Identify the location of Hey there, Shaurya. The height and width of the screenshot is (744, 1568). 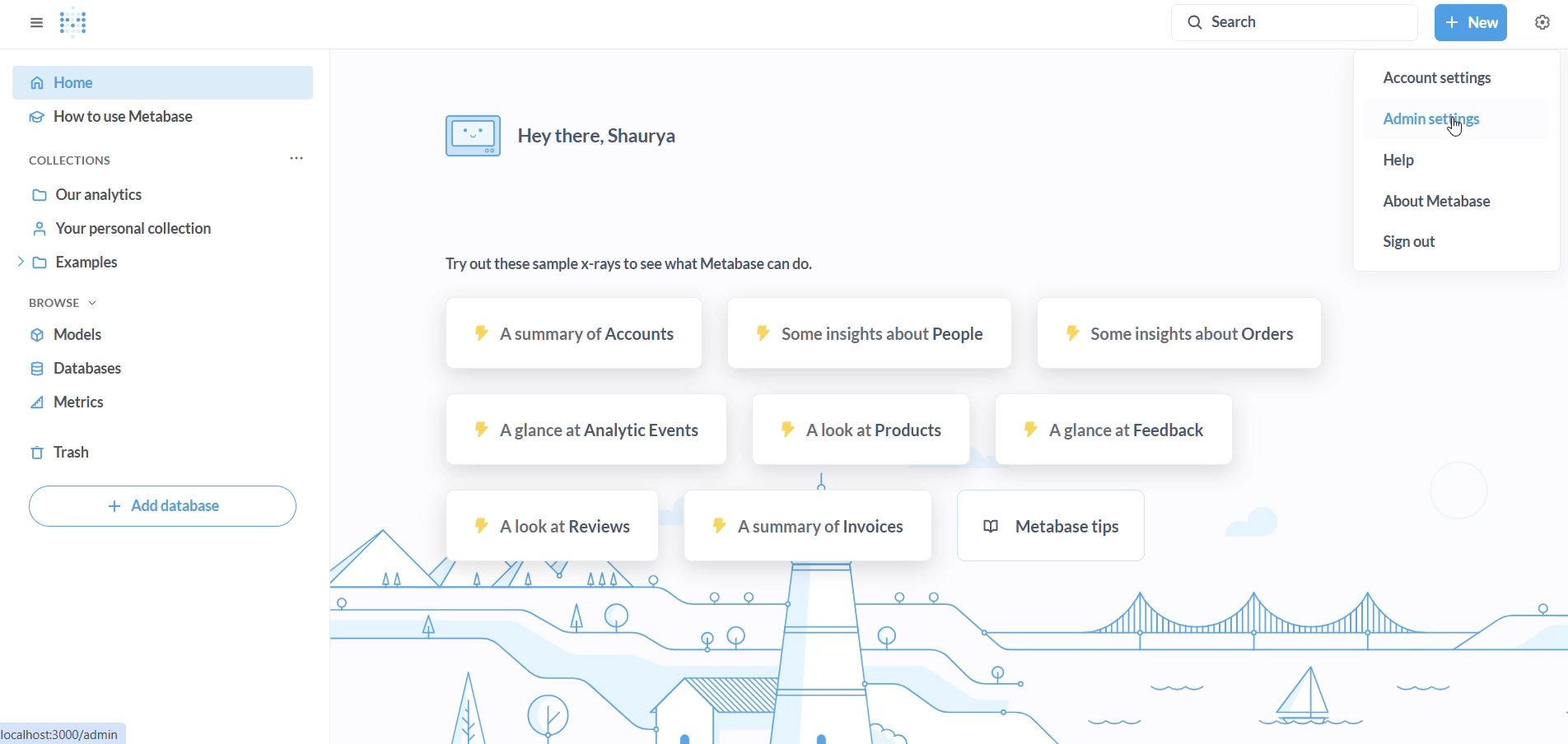
(562, 137).